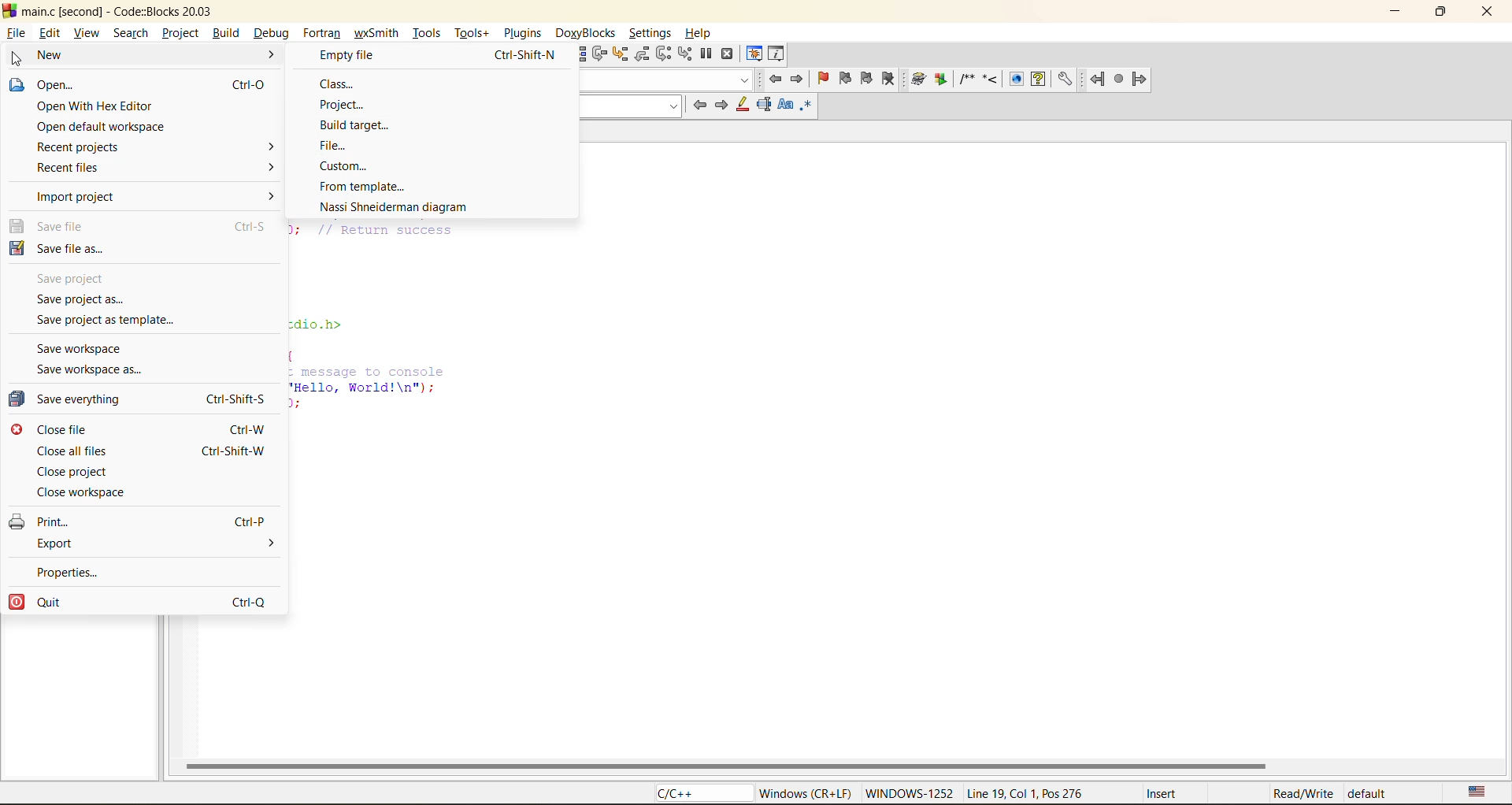 This screenshot has height=805, width=1512. Describe the element at coordinates (56, 85) in the screenshot. I see `open` at that location.